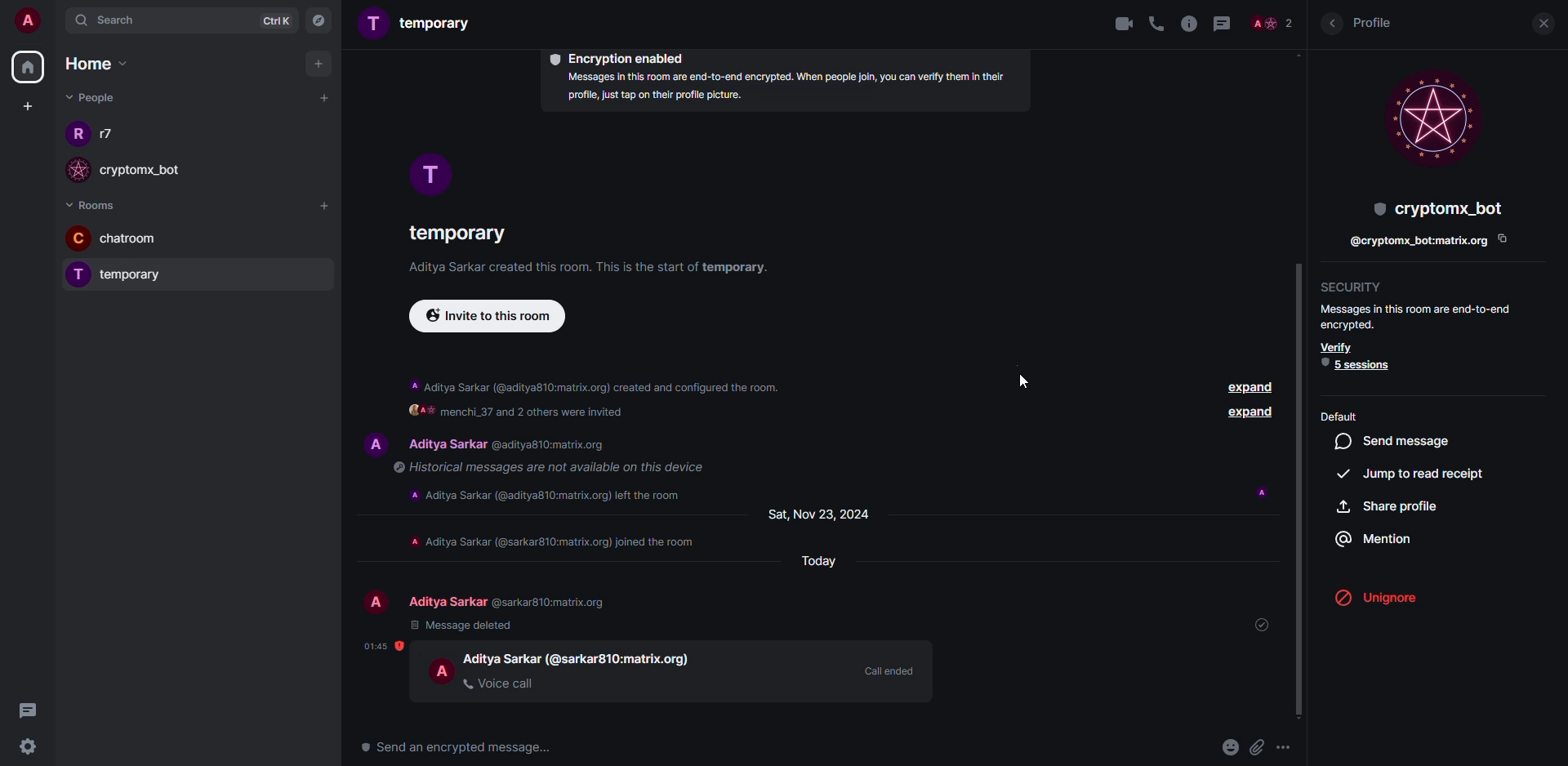  I want to click on add, so click(326, 208).